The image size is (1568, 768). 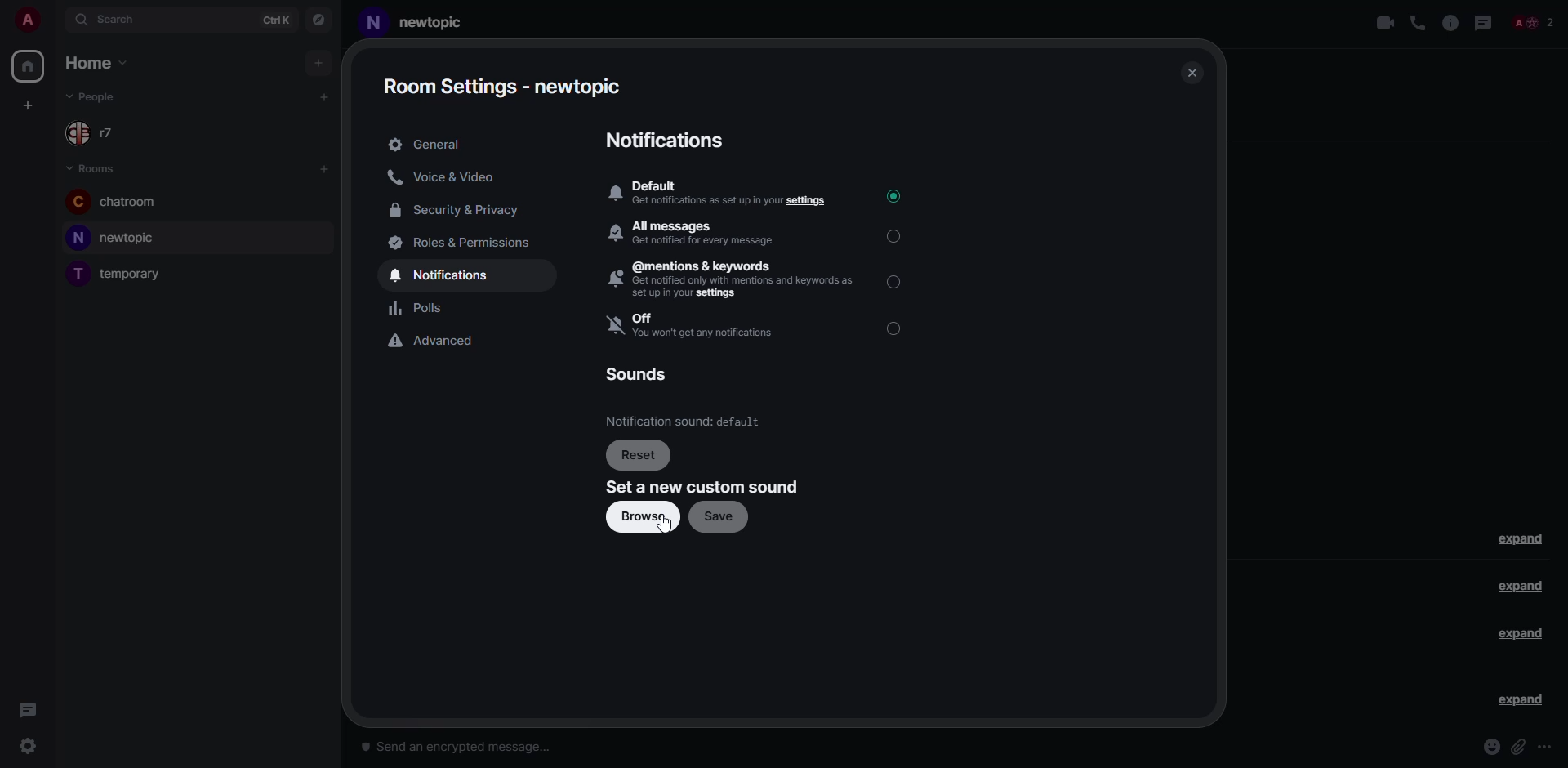 What do you see at coordinates (113, 20) in the screenshot?
I see `search` at bounding box center [113, 20].